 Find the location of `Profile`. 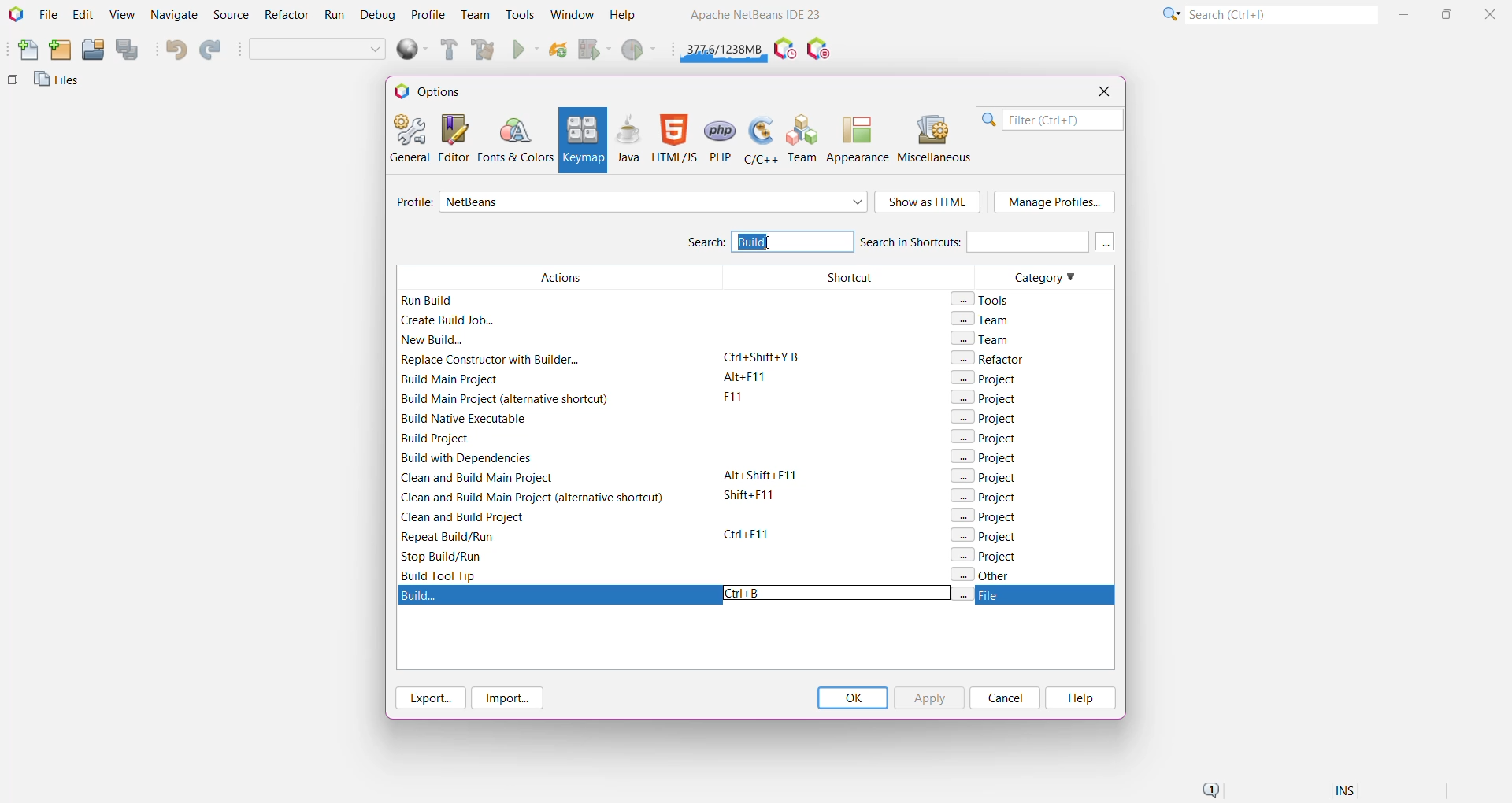

Profile is located at coordinates (428, 14).